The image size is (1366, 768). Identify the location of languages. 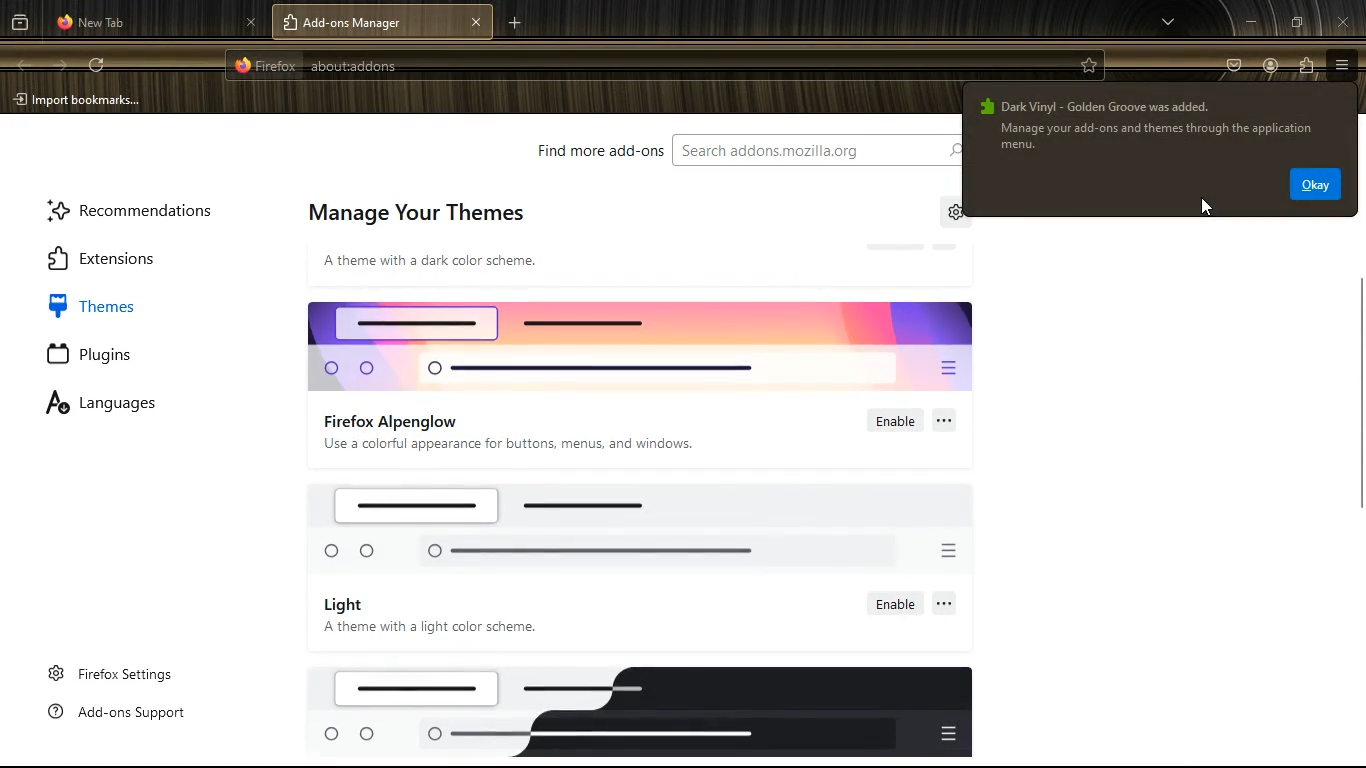
(119, 405).